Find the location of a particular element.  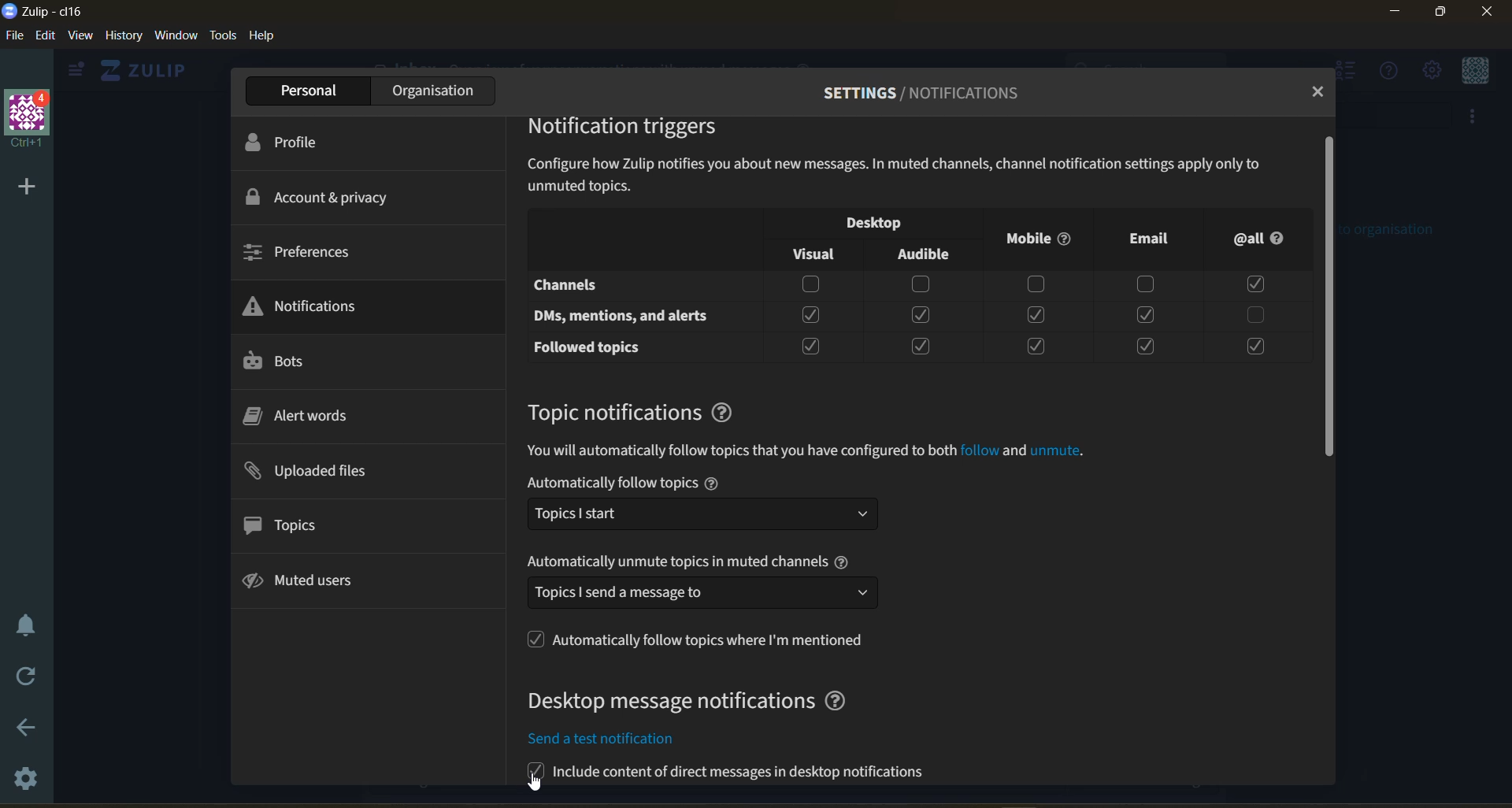

history is located at coordinates (124, 36).